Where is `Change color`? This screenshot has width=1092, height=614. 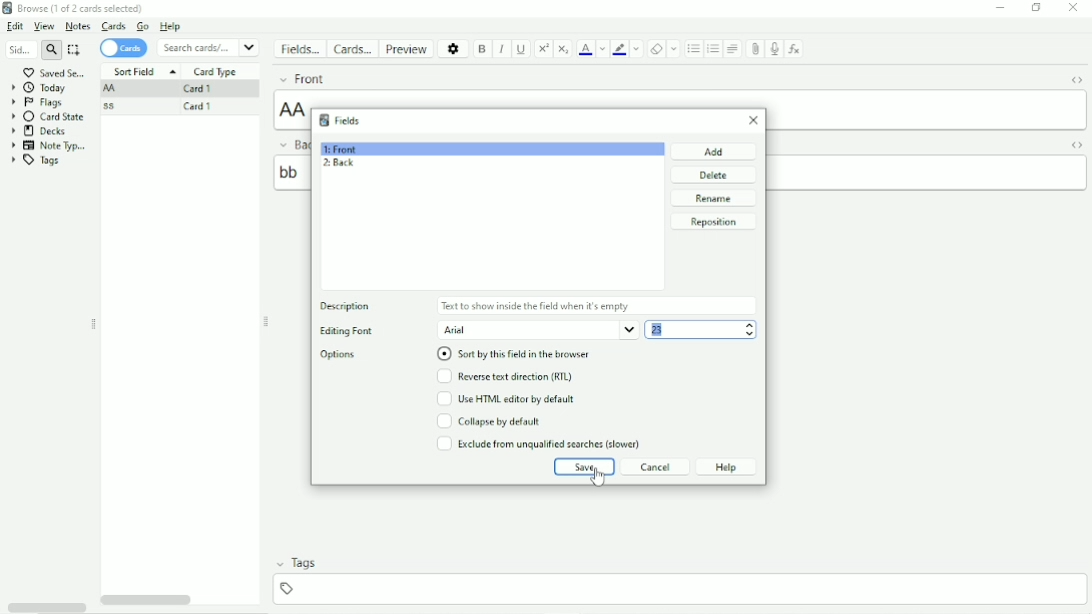
Change color is located at coordinates (636, 49).